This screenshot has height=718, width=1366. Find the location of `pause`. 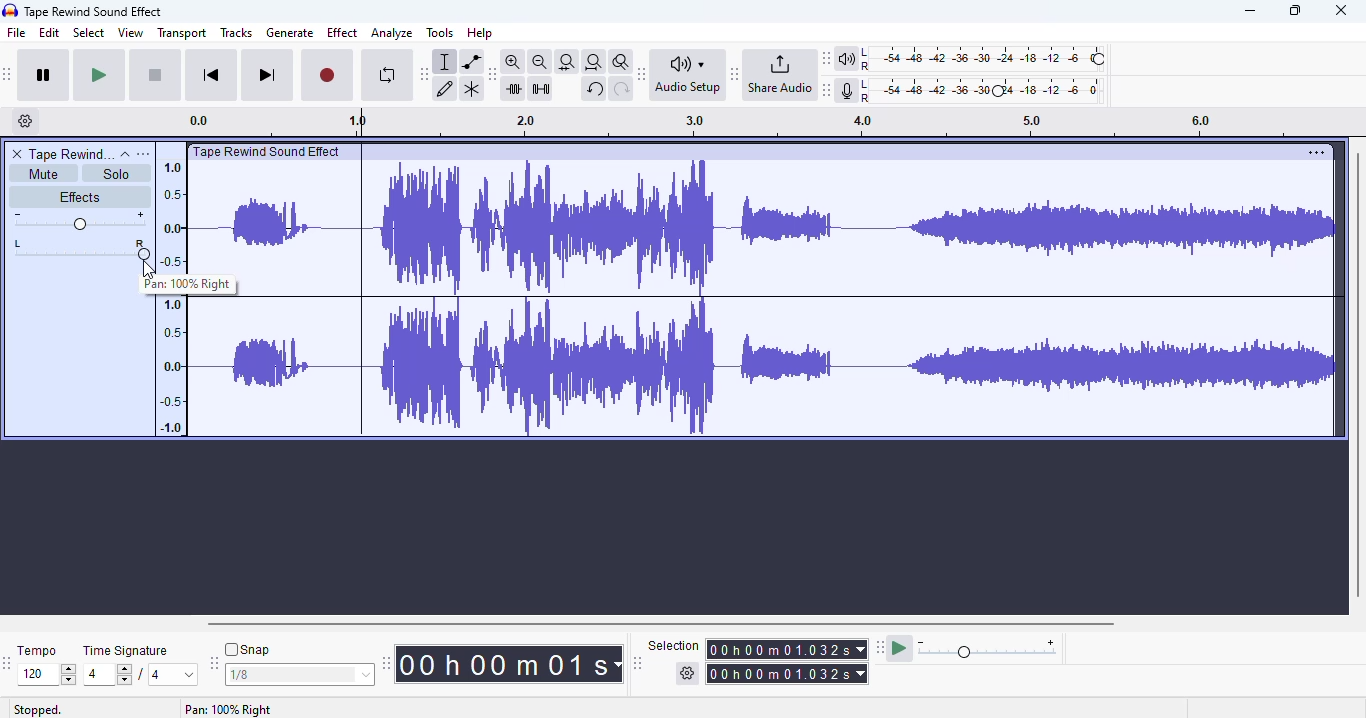

pause is located at coordinates (44, 75).